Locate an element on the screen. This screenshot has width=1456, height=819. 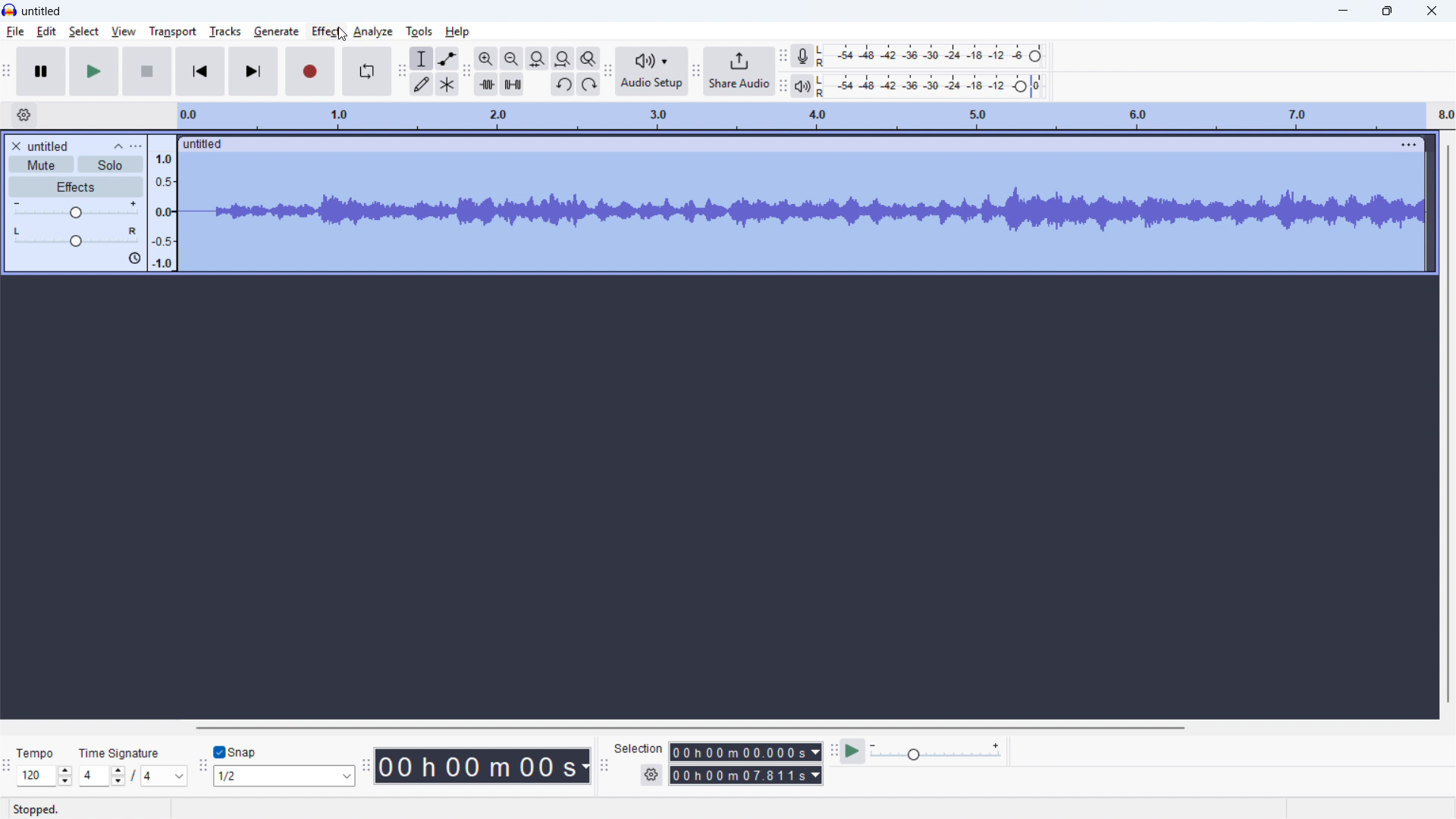
Playback level  is located at coordinates (929, 86).